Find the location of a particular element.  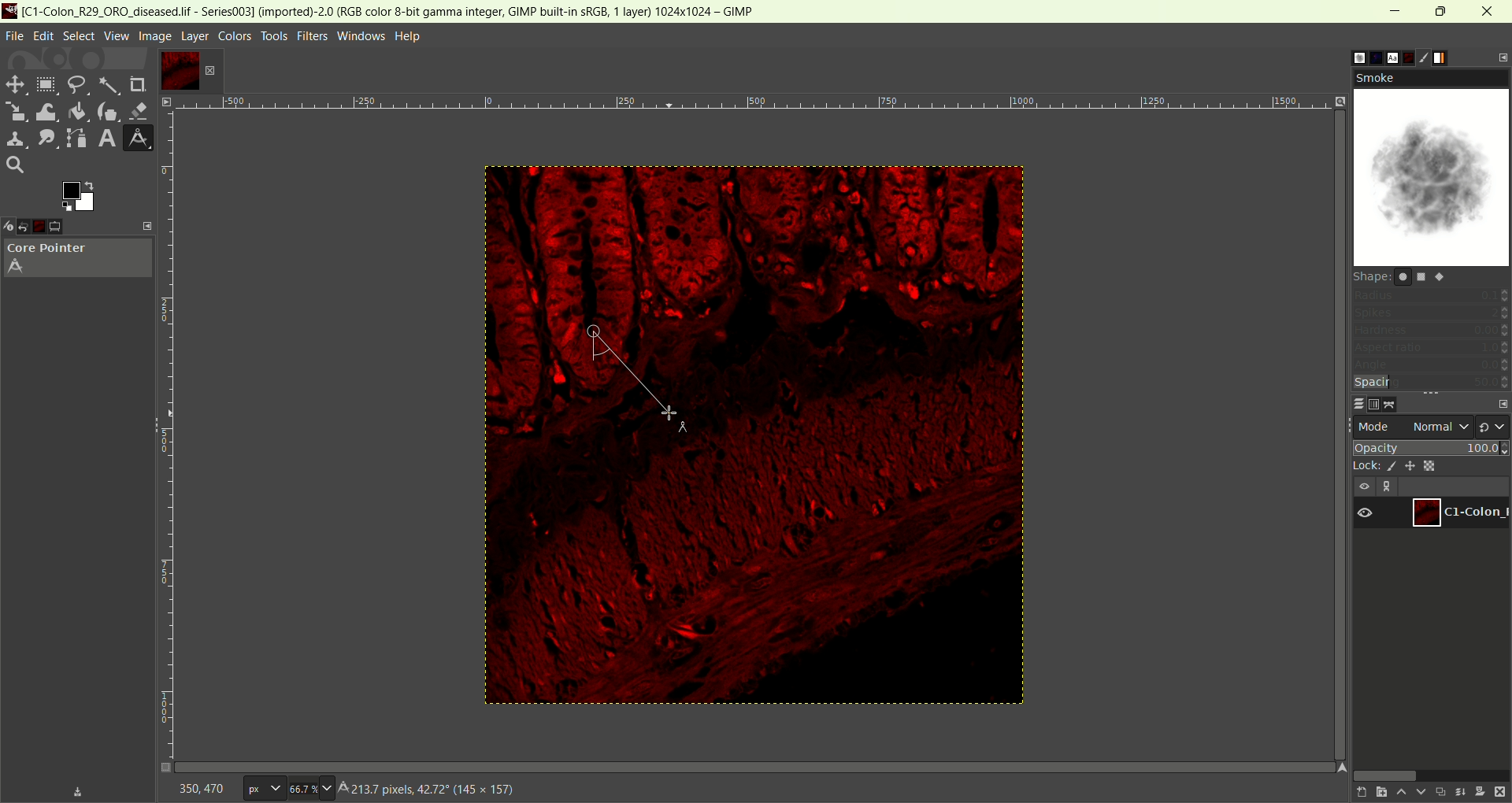

delete layer is located at coordinates (1501, 793).